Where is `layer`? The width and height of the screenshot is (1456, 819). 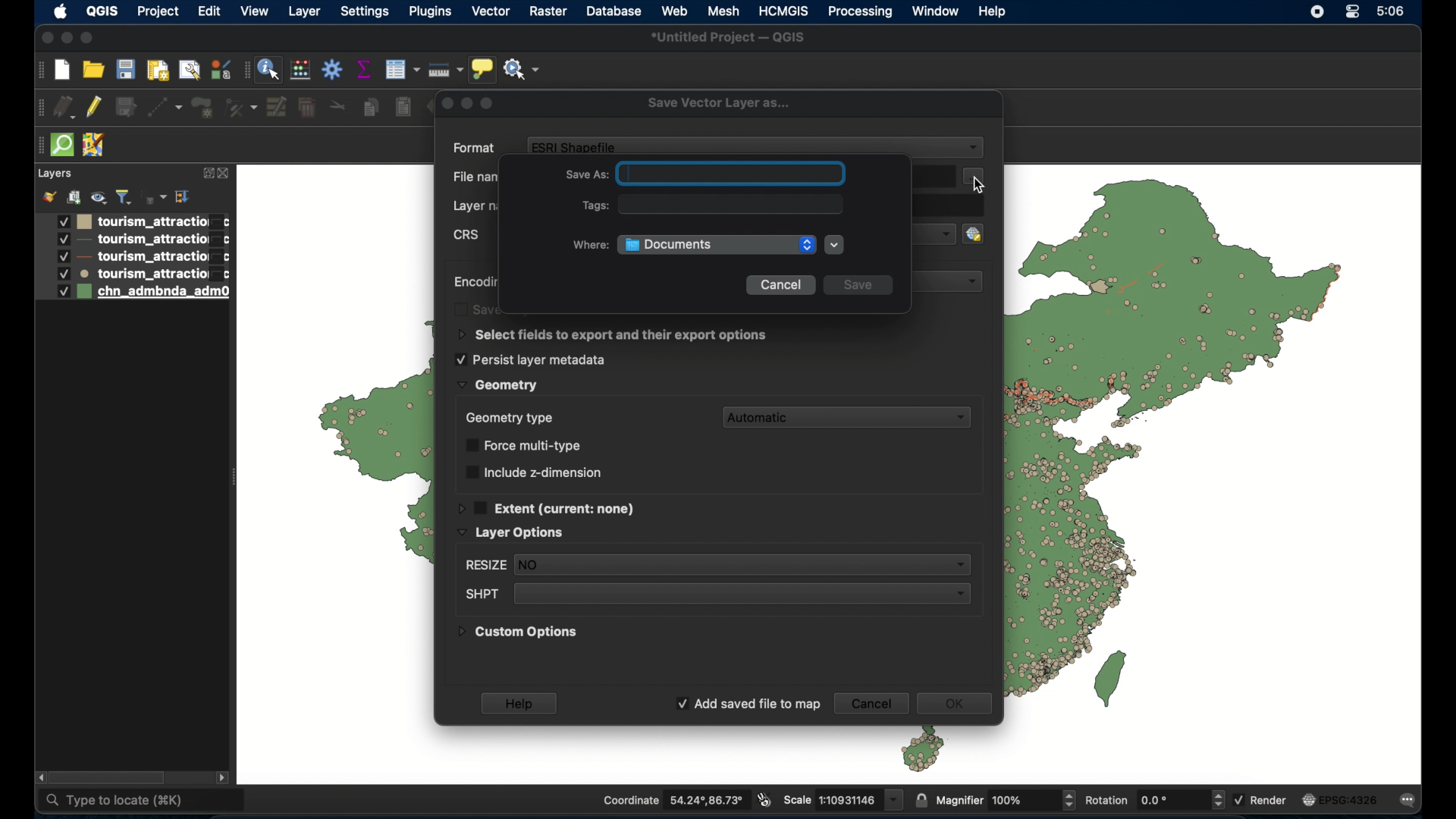
layer is located at coordinates (304, 14).